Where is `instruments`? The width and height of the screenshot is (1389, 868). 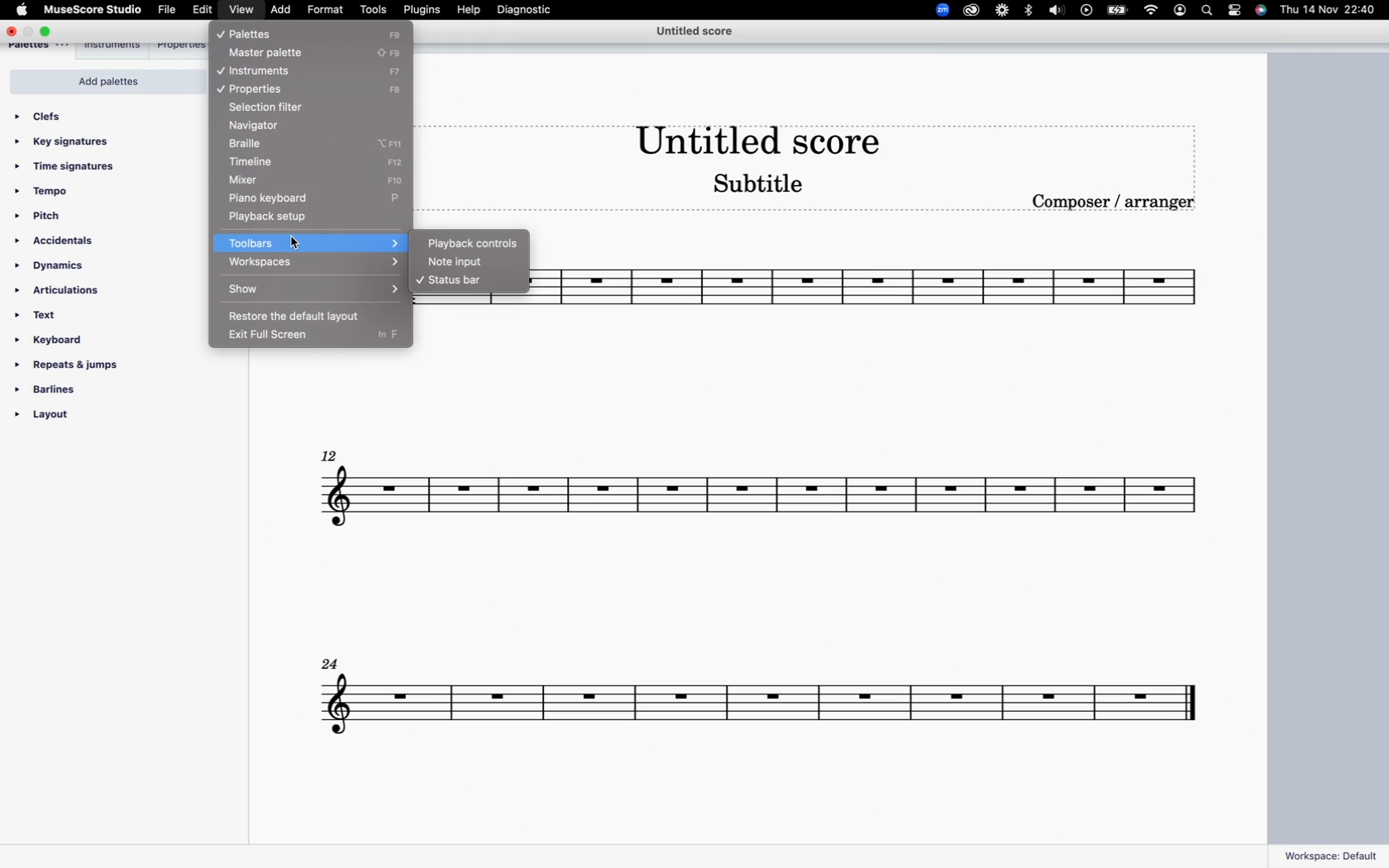
instruments is located at coordinates (273, 71).